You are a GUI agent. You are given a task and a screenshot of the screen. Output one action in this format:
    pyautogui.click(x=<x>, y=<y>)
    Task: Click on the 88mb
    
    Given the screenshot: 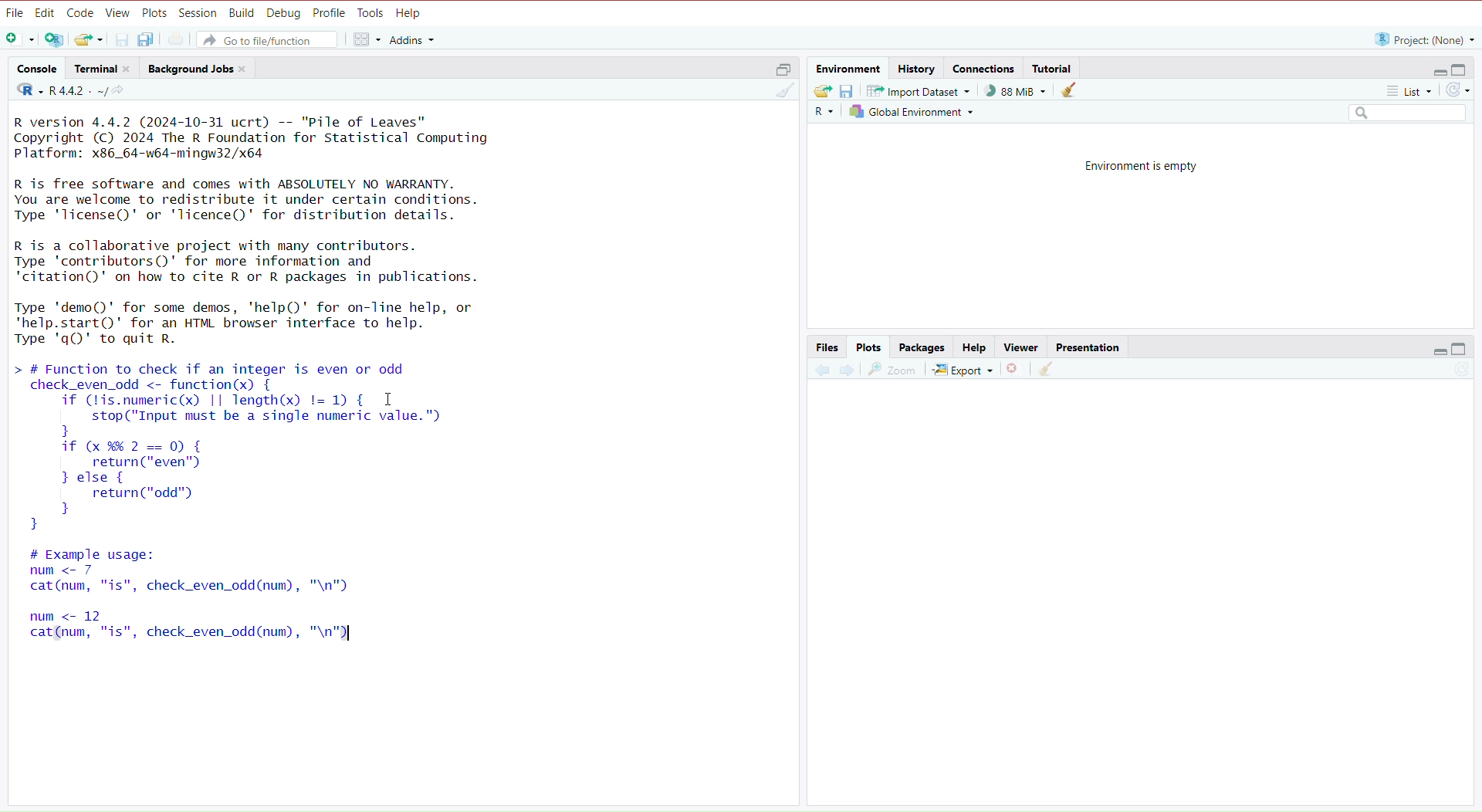 What is the action you would take?
    pyautogui.click(x=1017, y=91)
    